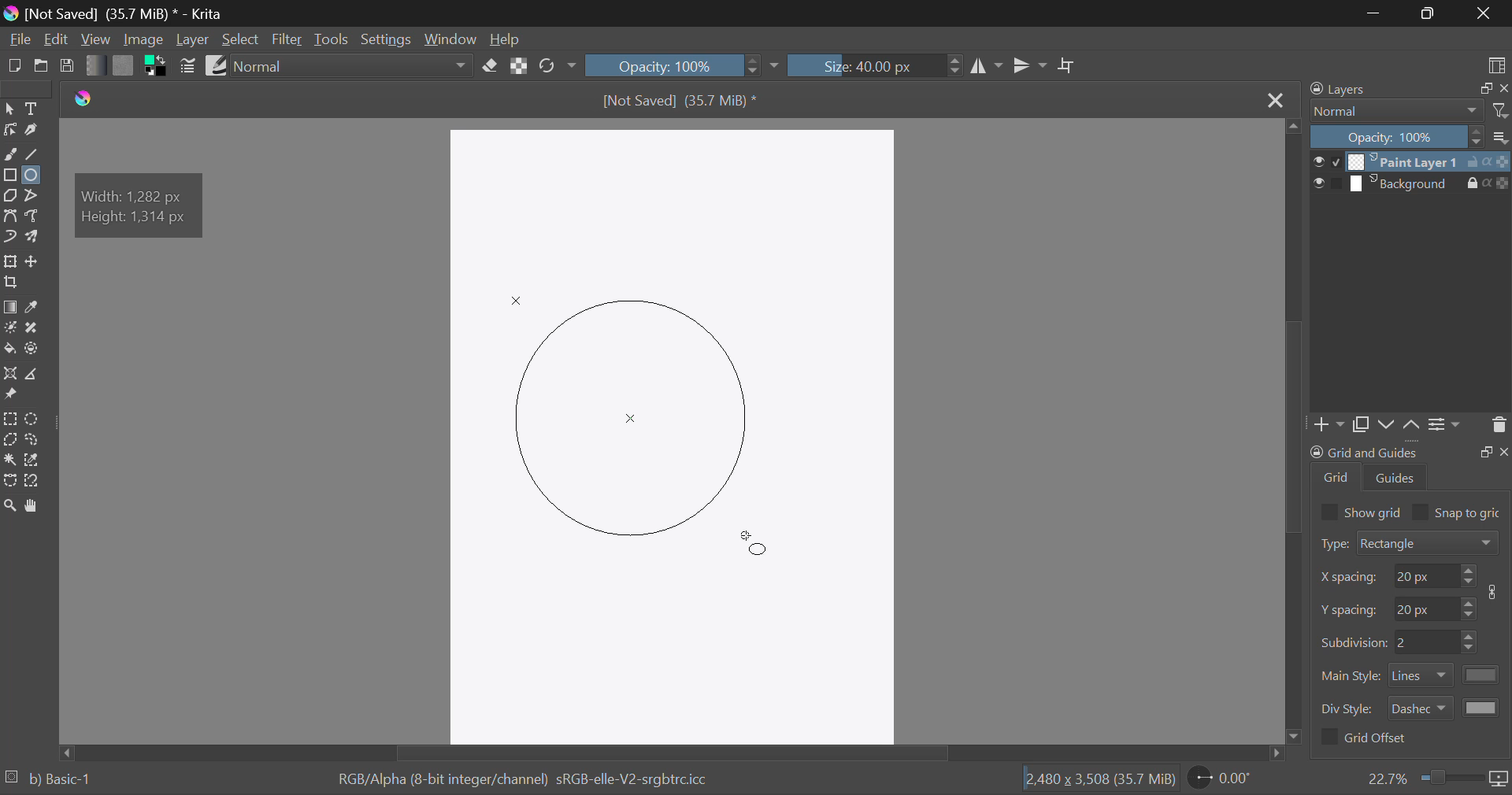  What do you see at coordinates (1402, 426) in the screenshot?
I see `Movement of Layers` at bounding box center [1402, 426].